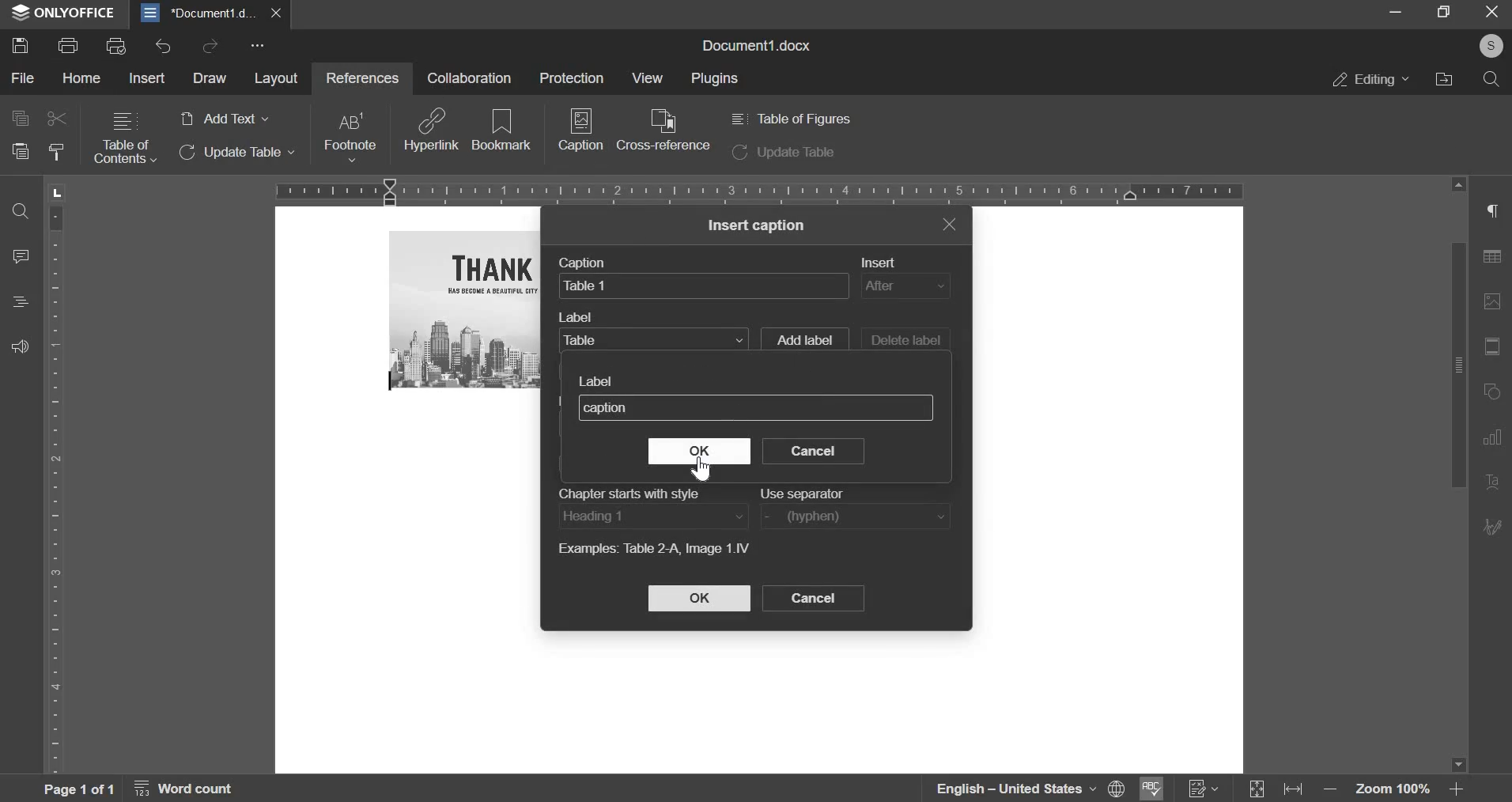 The height and width of the screenshot is (802, 1512). Describe the element at coordinates (82, 78) in the screenshot. I see `home` at that location.